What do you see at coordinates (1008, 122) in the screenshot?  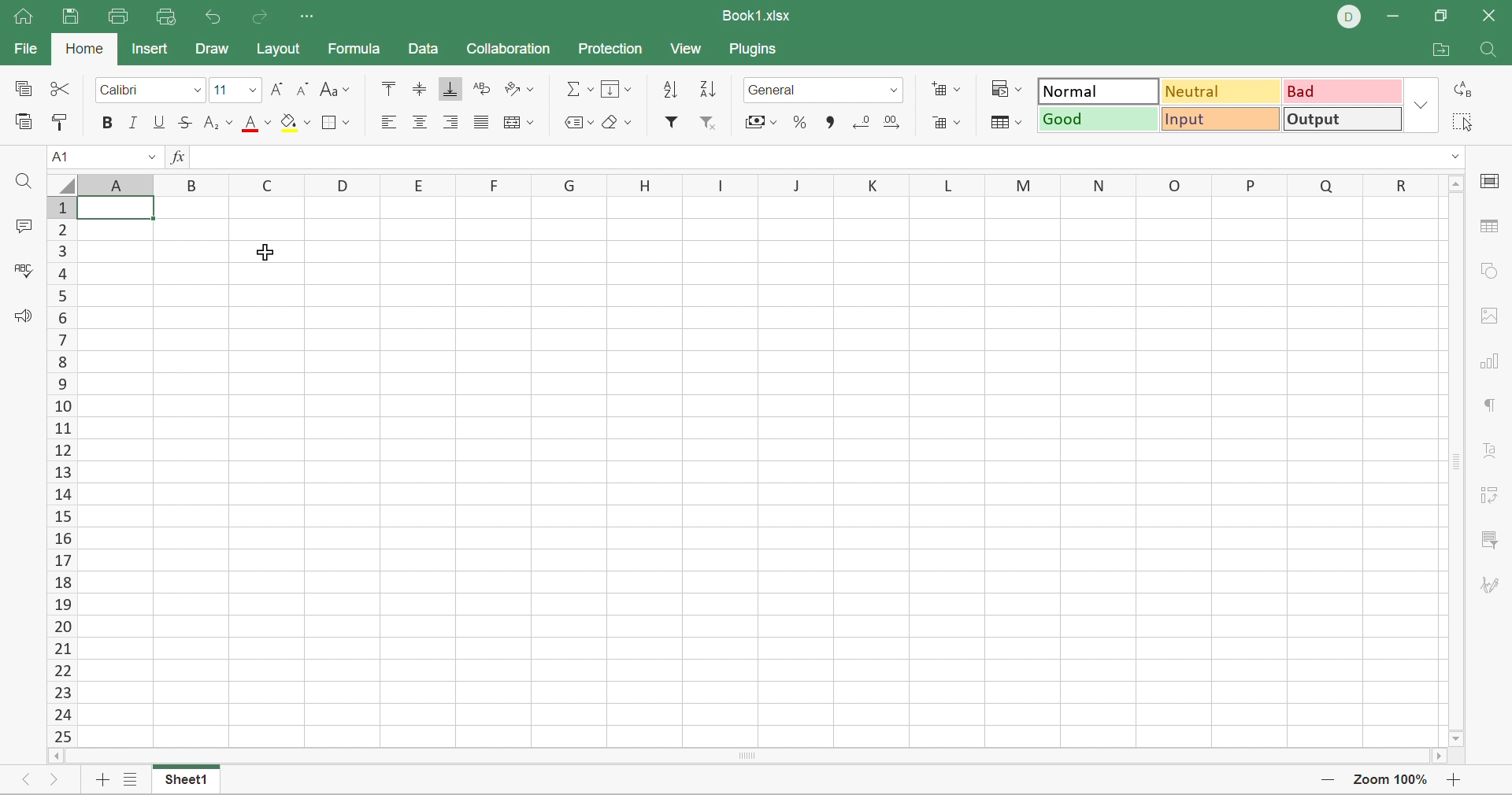 I see `Format table as template` at bounding box center [1008, 122].